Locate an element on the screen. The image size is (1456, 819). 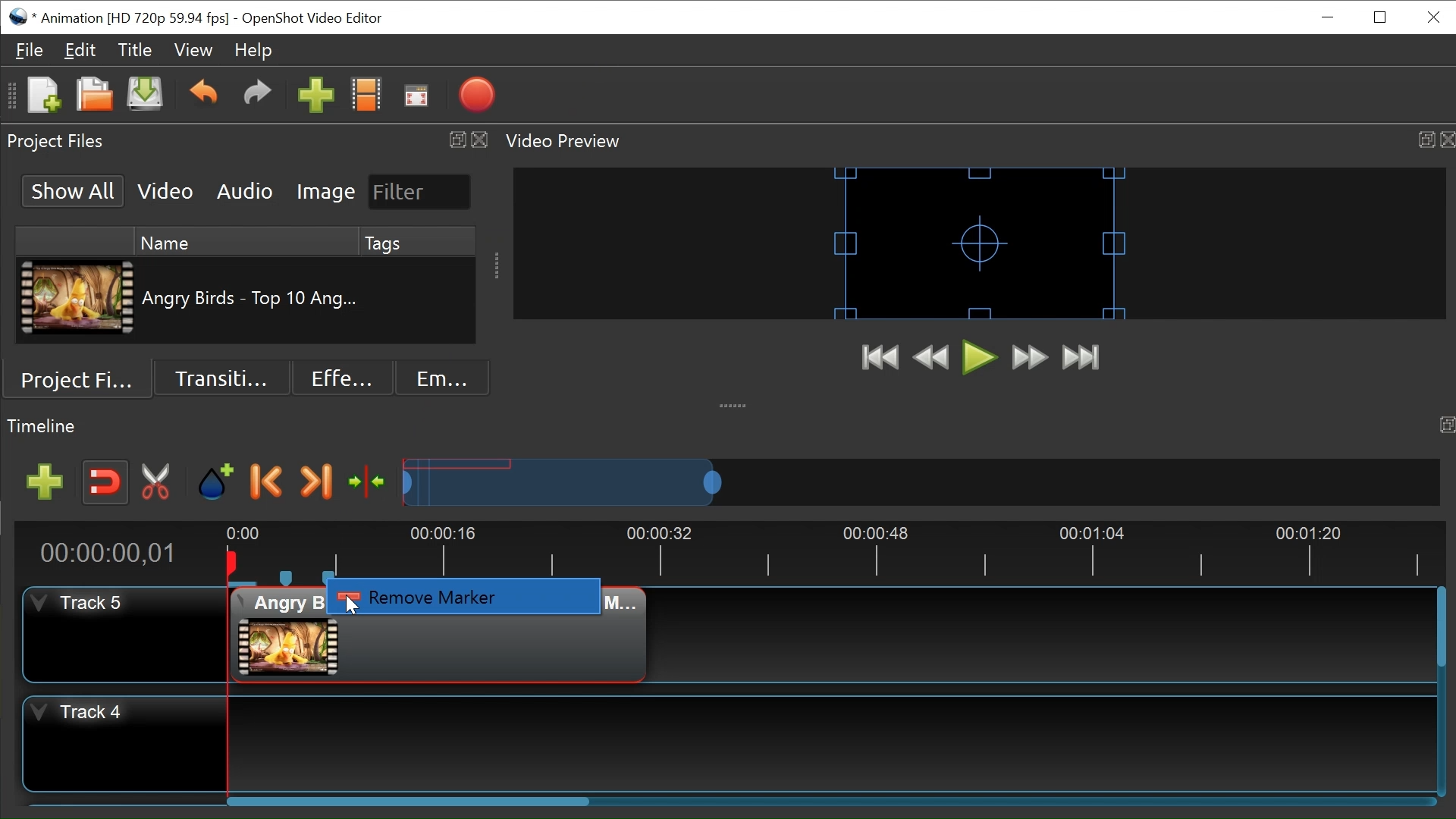
Import Files is located at coordinates (315, 99).